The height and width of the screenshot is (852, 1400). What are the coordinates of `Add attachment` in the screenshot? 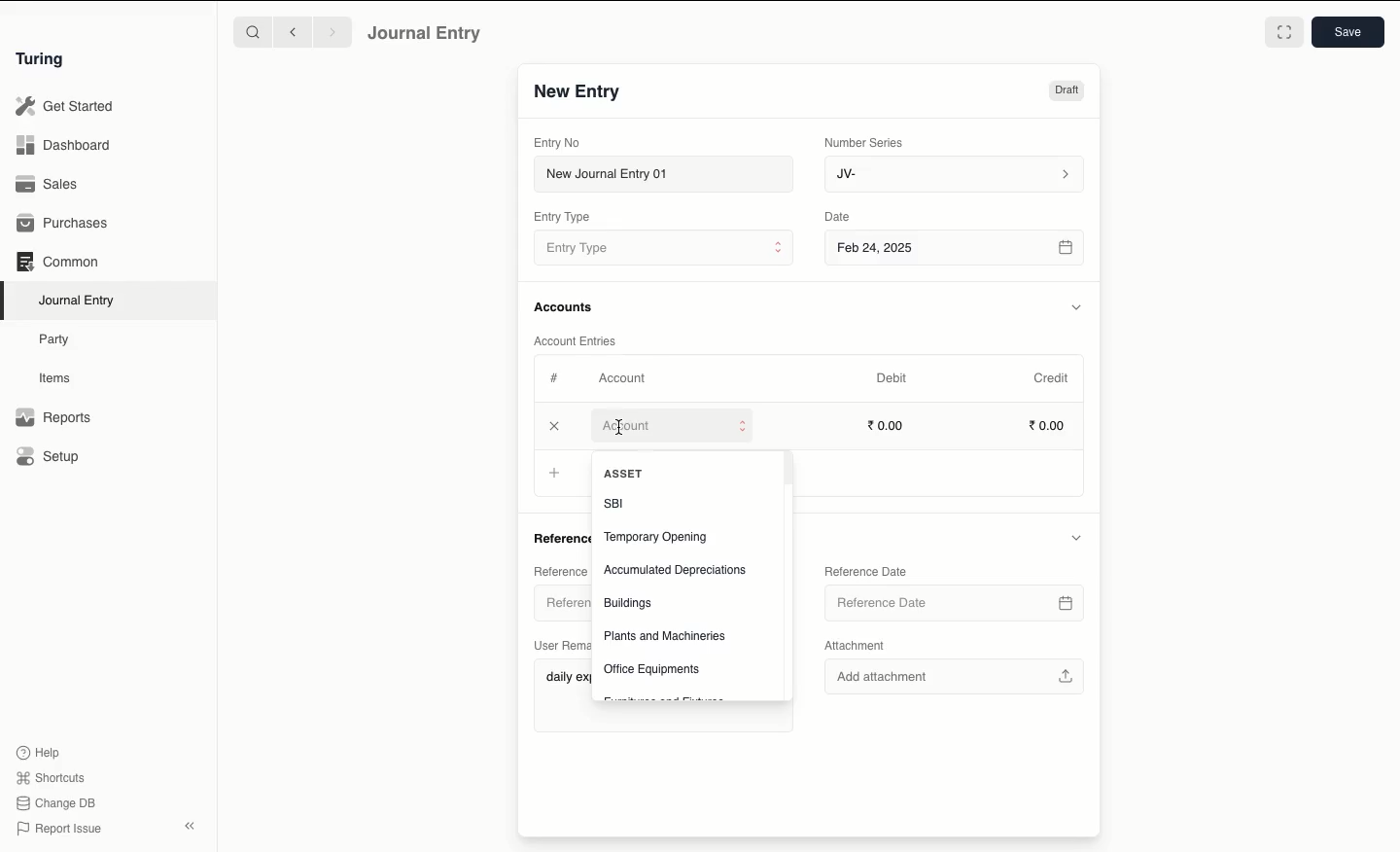 It's located at (956, 679).